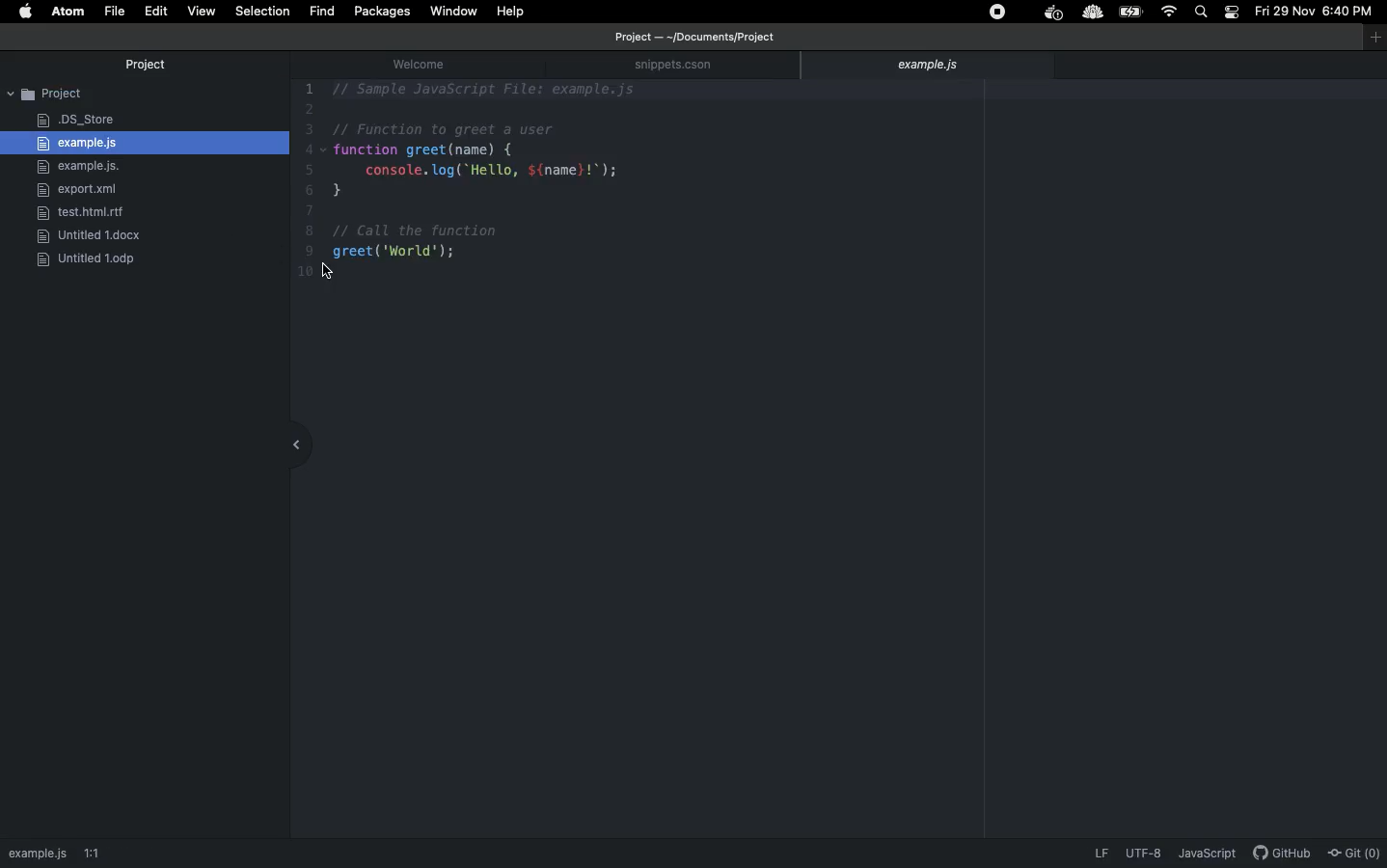 The height and width of the screenshot is (868, 1387). What do you see at coordinates (1283, 854) in the screenshot?
I see `description` at bounding box center [1283, 854].